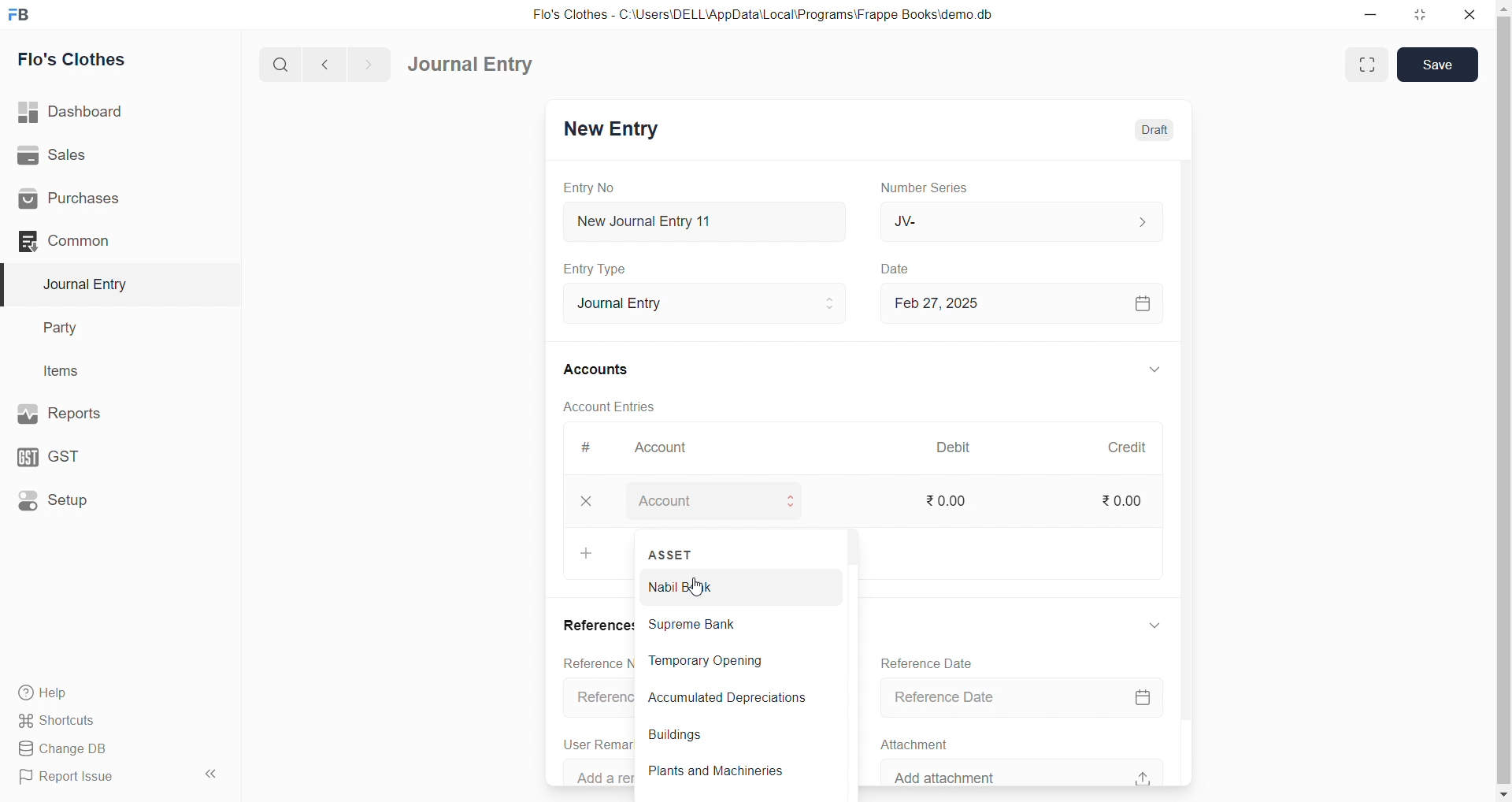  I want to click on User Remark, so click(599, 744).